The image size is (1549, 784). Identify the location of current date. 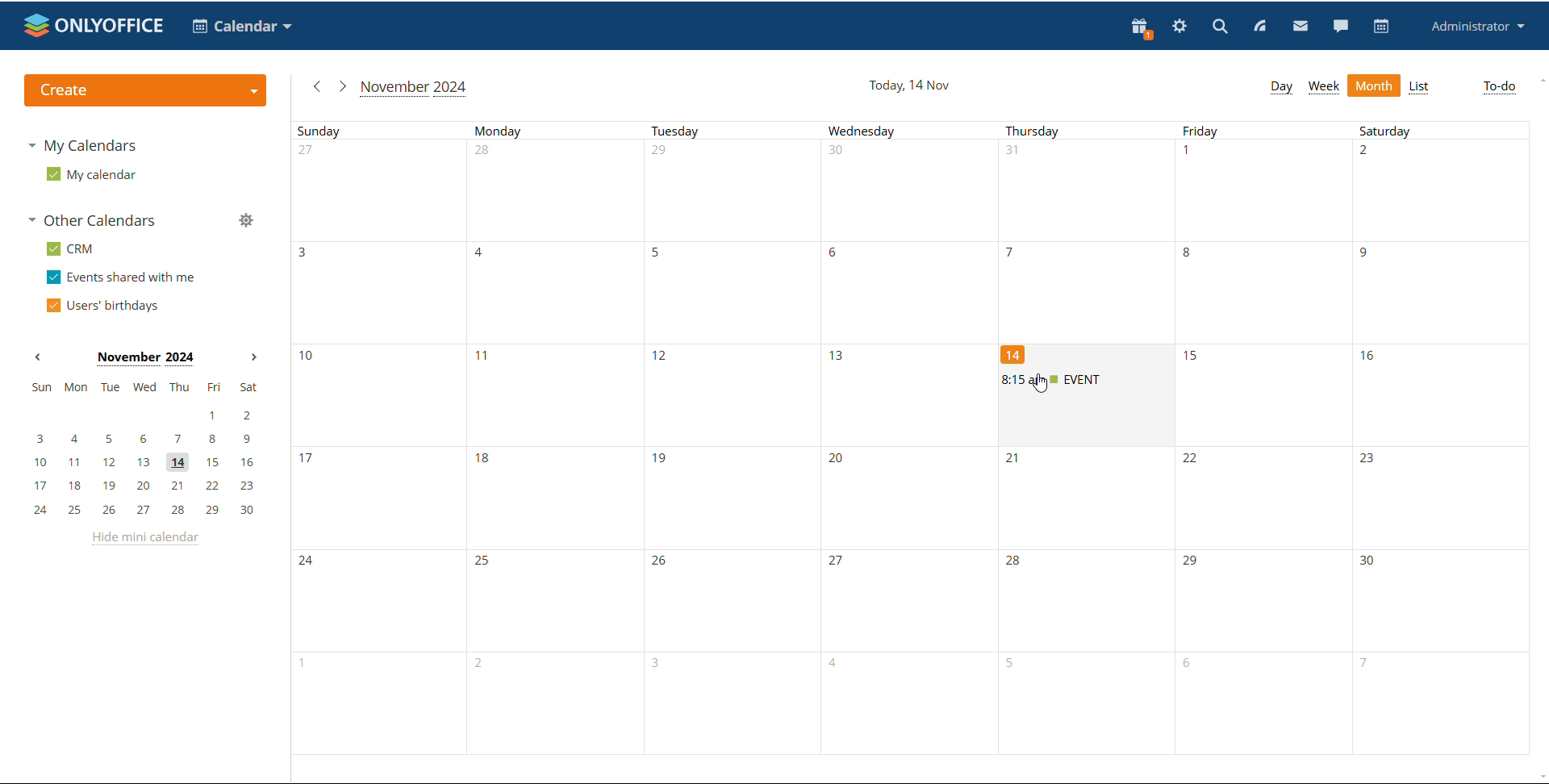
(910, 85).